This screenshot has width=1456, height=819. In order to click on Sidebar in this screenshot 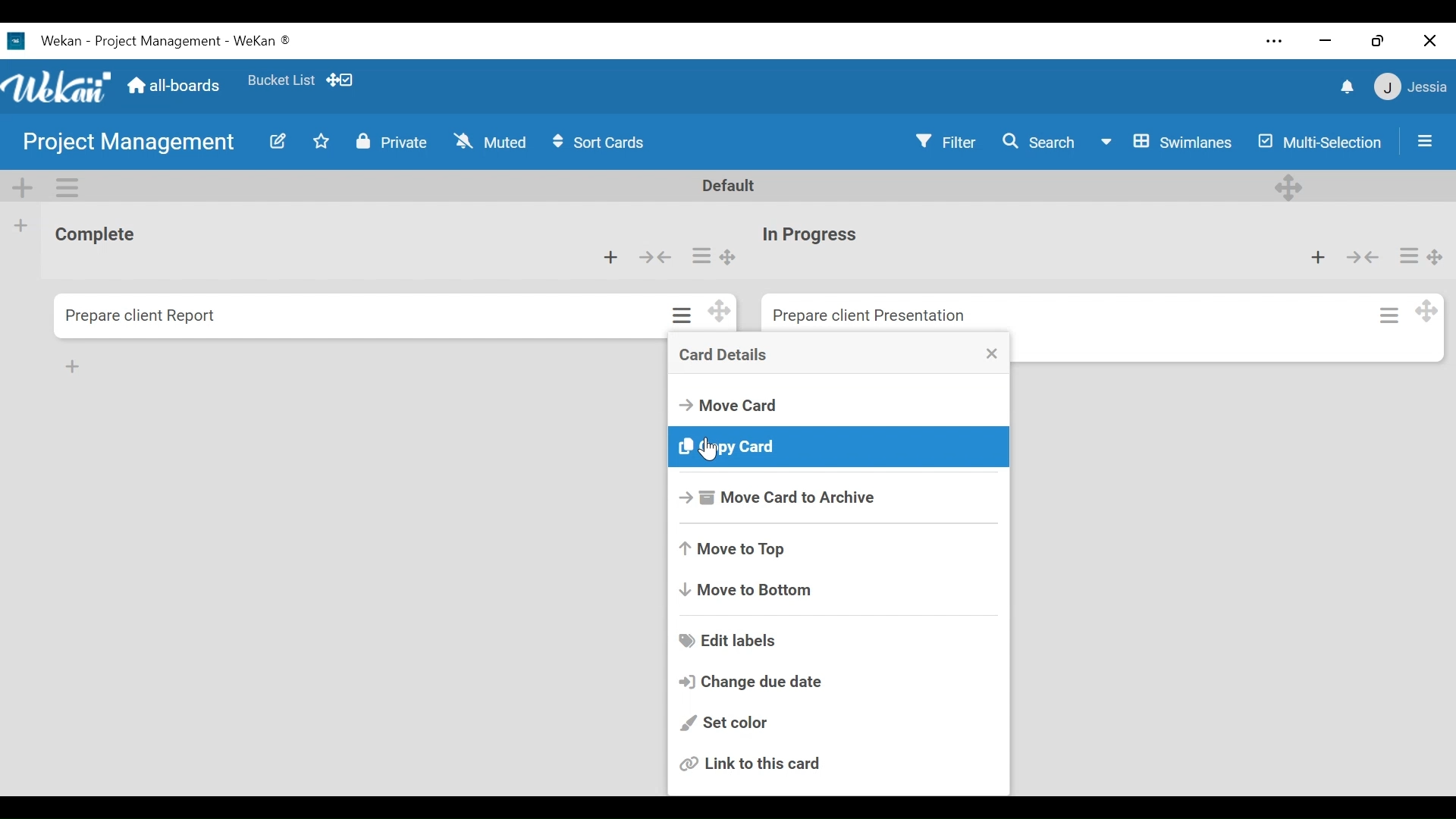, I will do `click(1423, 140)`.